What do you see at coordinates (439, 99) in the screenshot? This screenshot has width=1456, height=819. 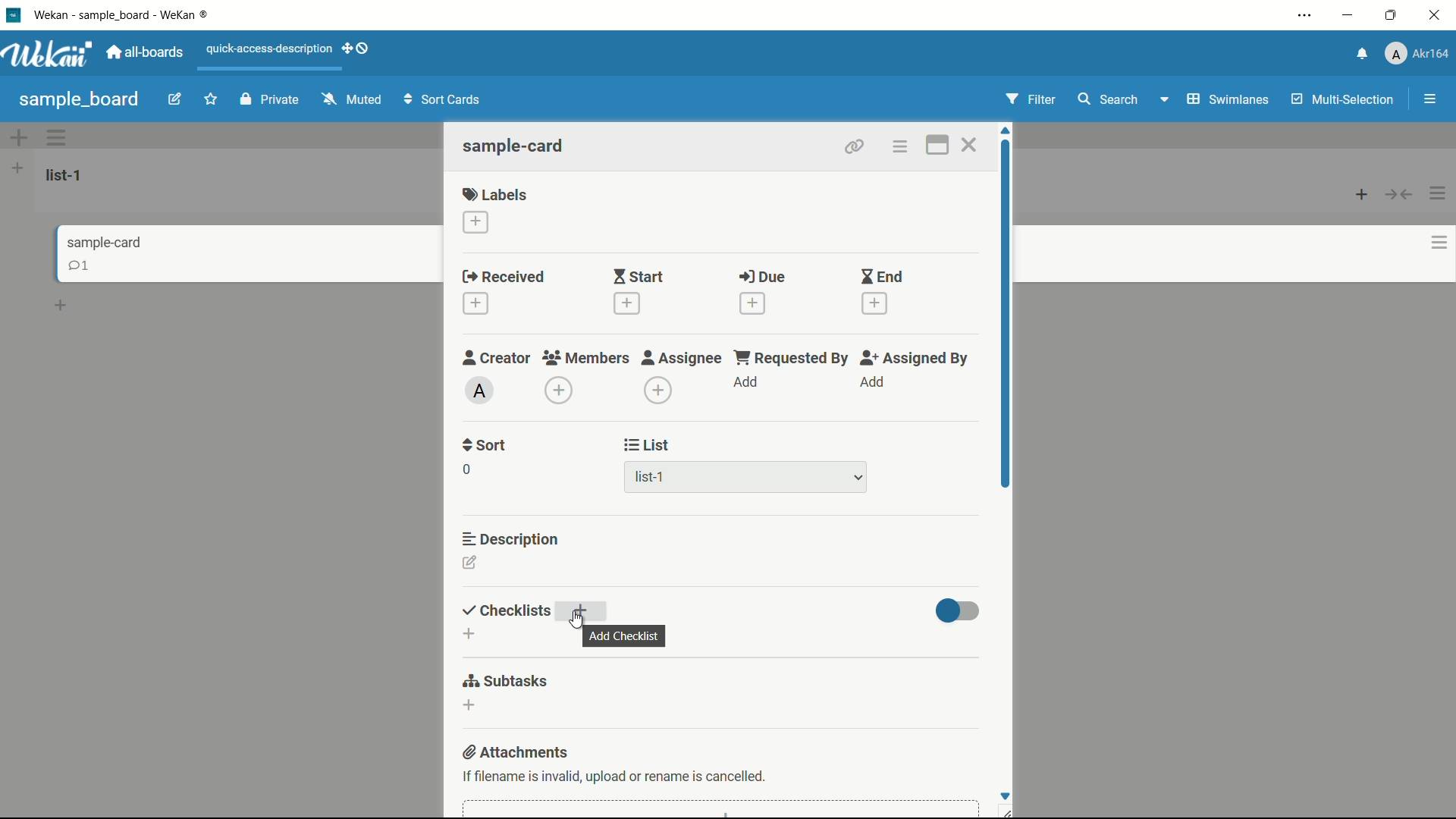 I see `Sort Cards` at bounding box center [439, 99].